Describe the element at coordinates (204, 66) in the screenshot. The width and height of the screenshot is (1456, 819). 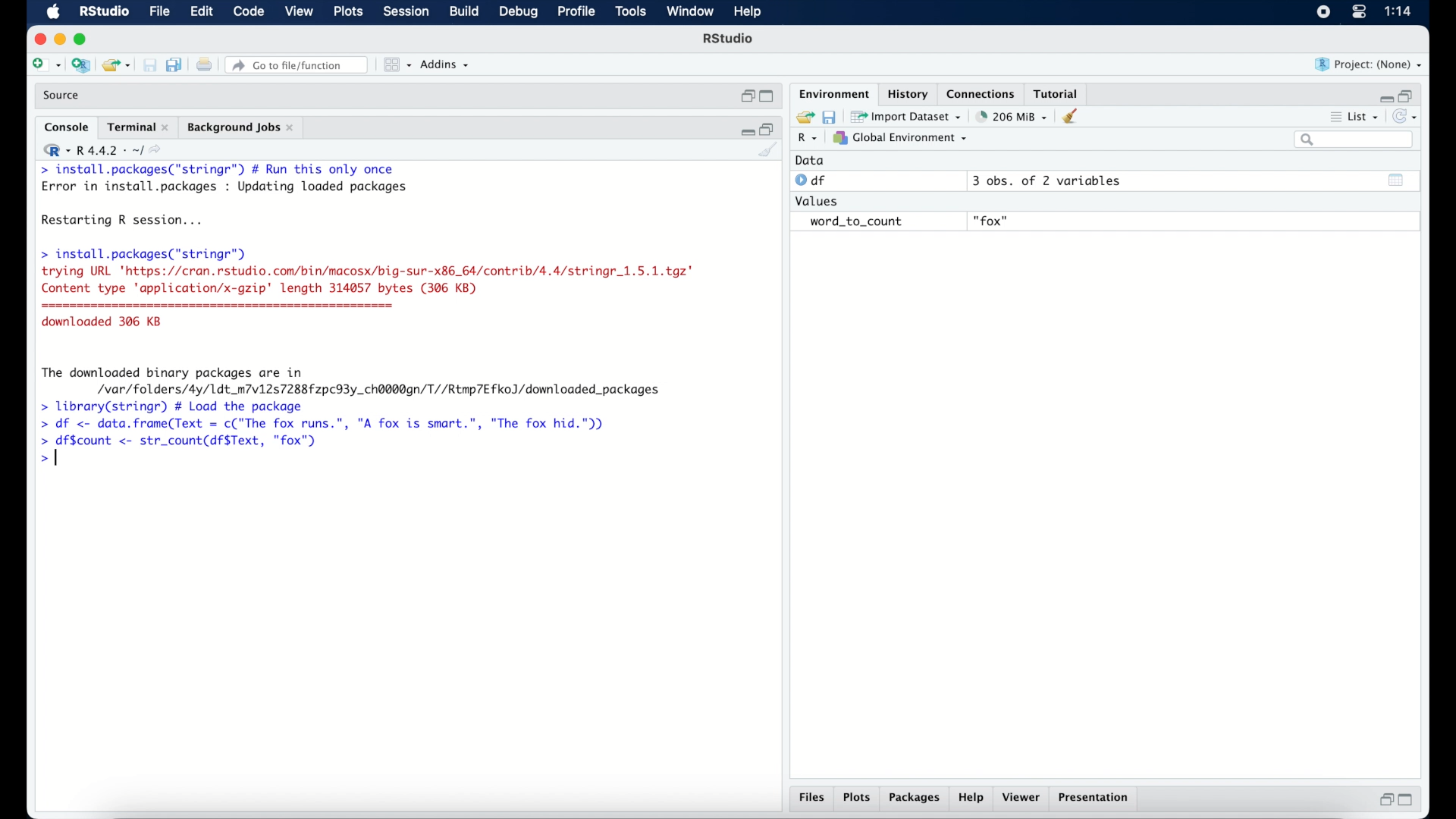
I see `print` at that location.